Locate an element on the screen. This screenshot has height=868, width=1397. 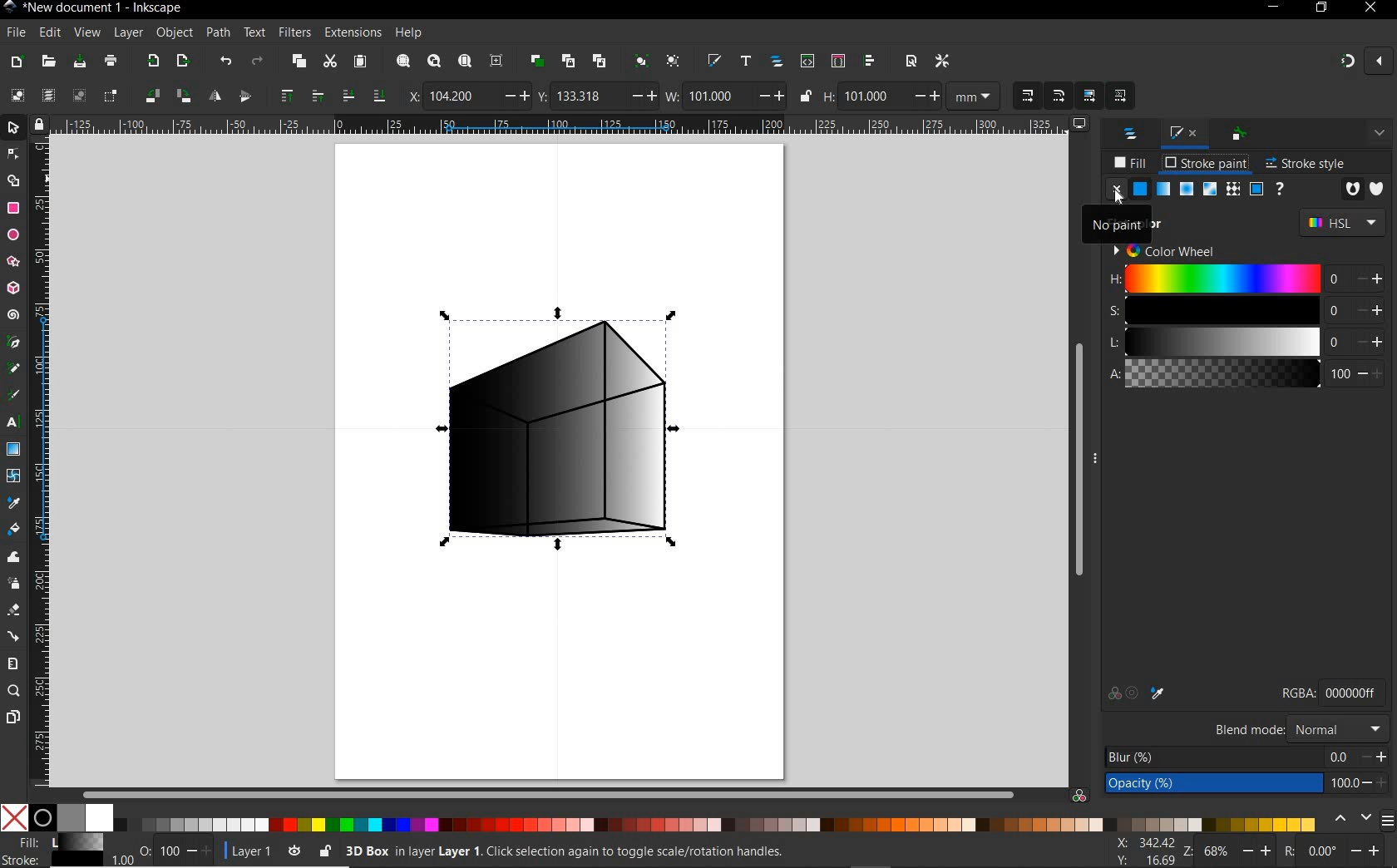
0 is located at coordinates (1323, 852).